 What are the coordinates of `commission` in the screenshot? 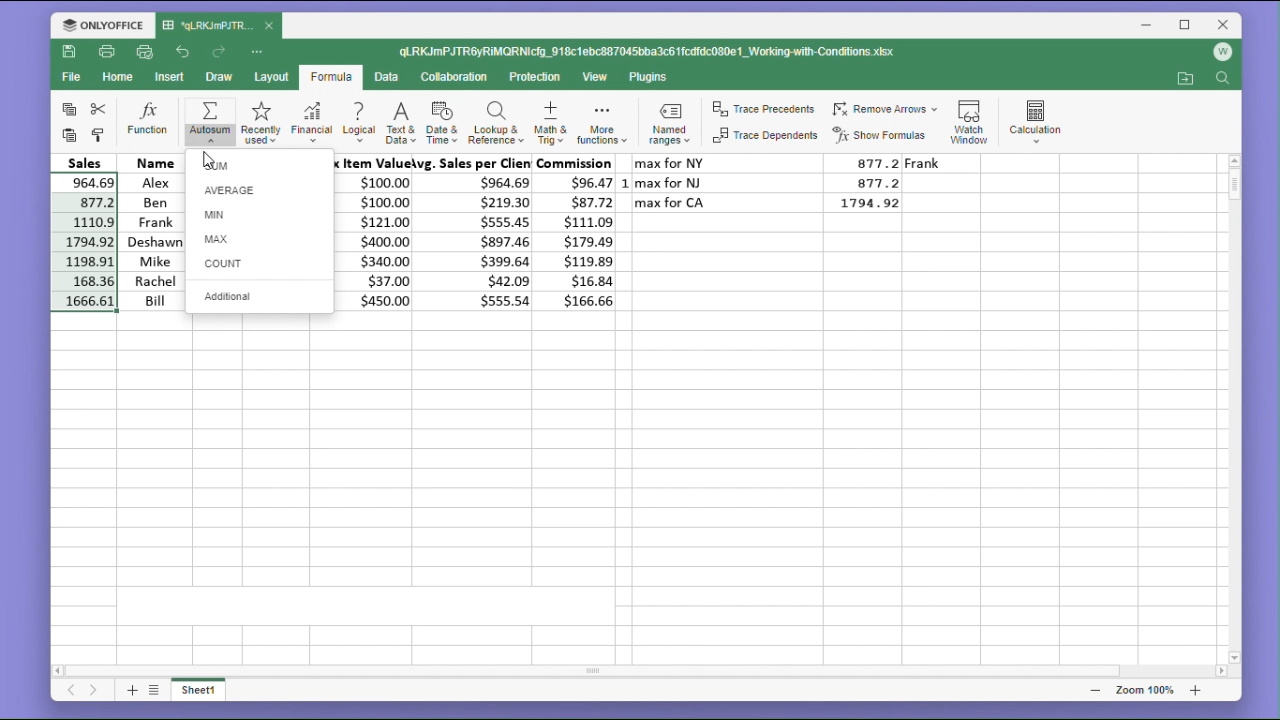 It's located at (580, 233).